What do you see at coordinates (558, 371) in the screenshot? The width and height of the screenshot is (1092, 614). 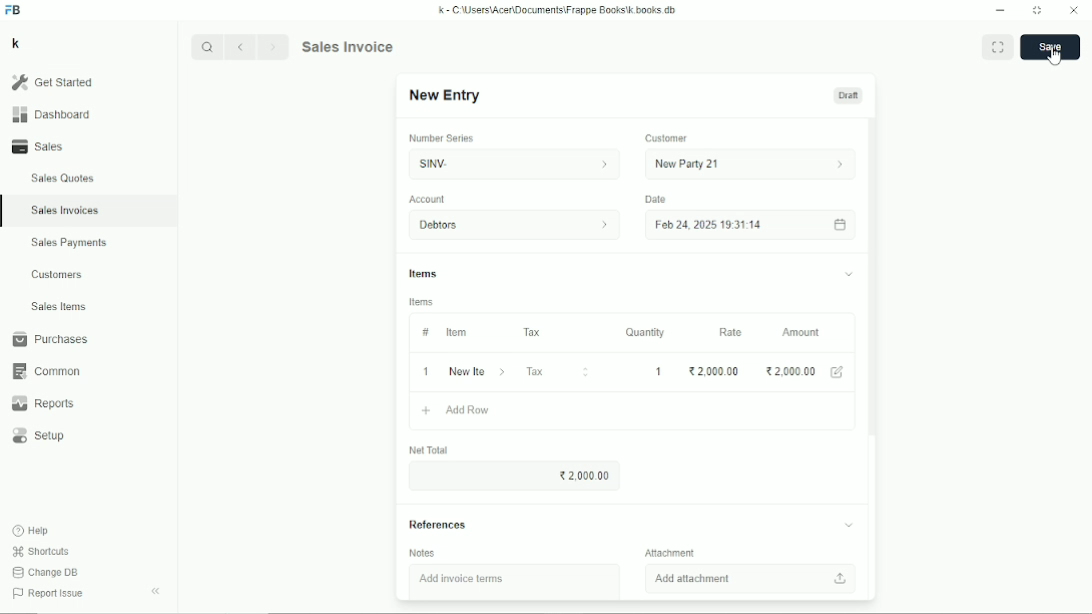 I see `Tax` at bounding box center [558, 371].